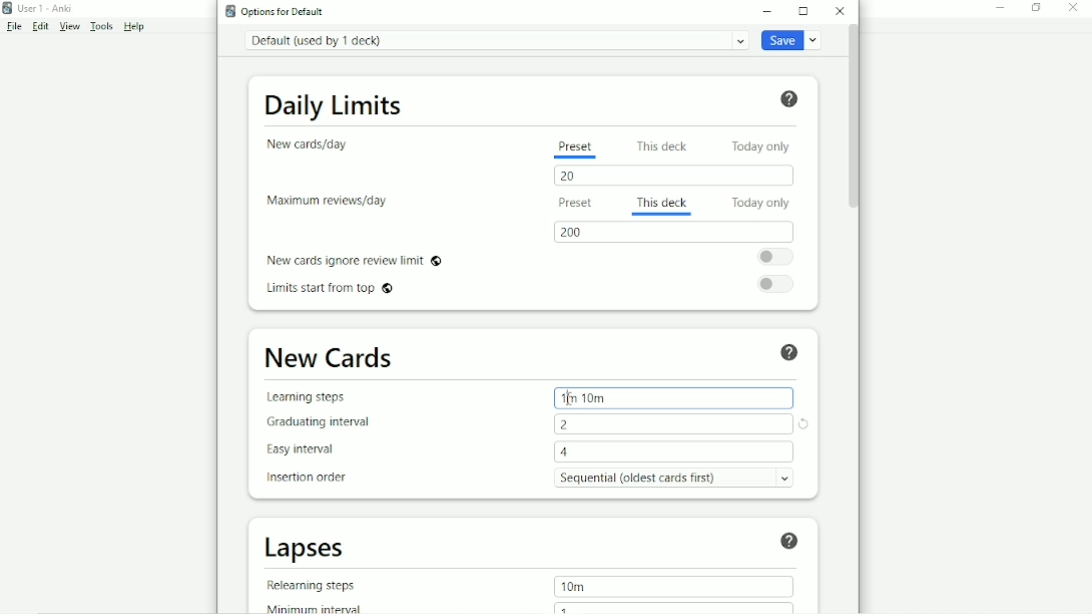  I want to click on This deck, so click(661, 205).